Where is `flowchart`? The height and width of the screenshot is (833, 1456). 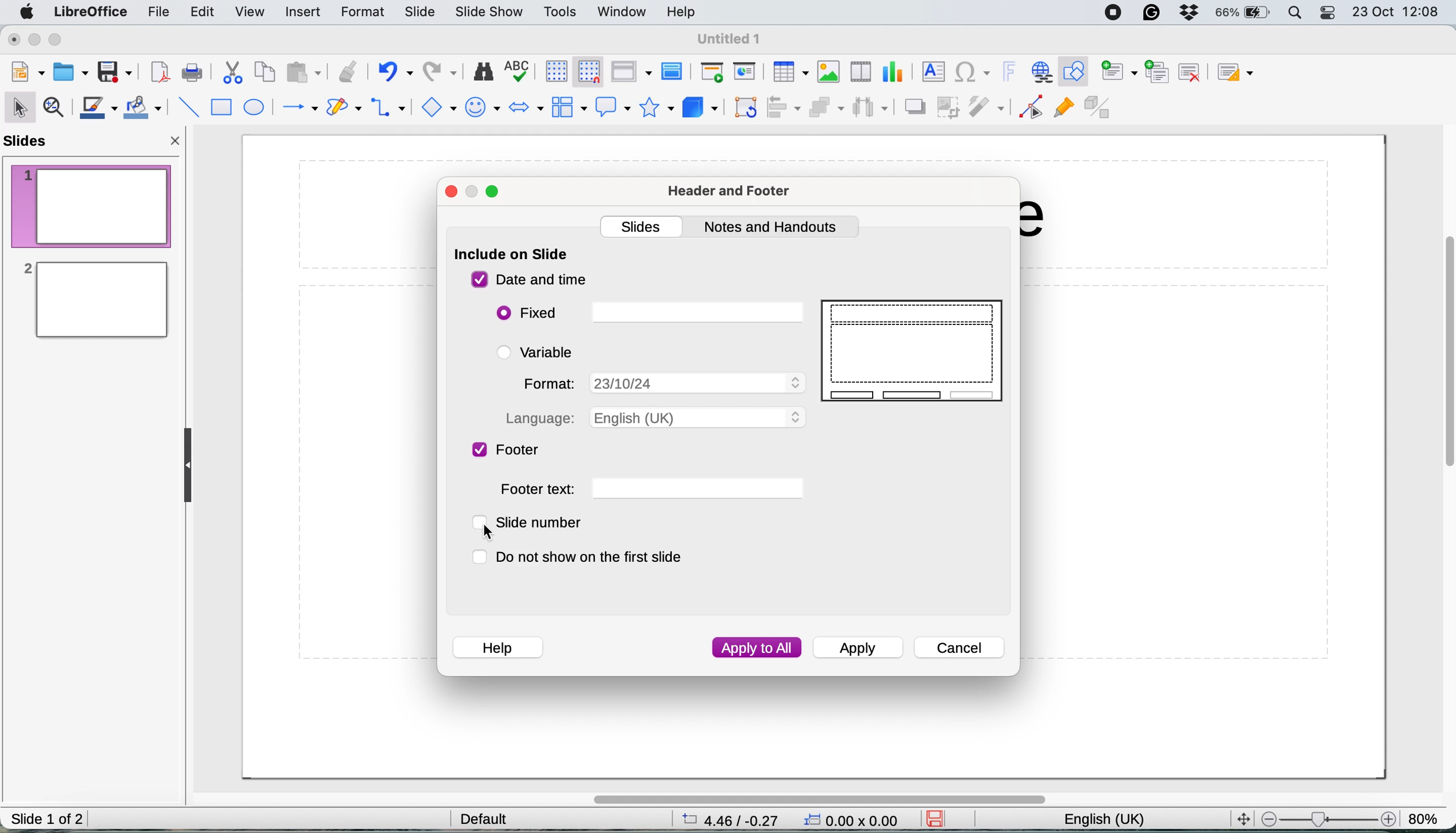
flowchart is located at coordinates (568, 107).